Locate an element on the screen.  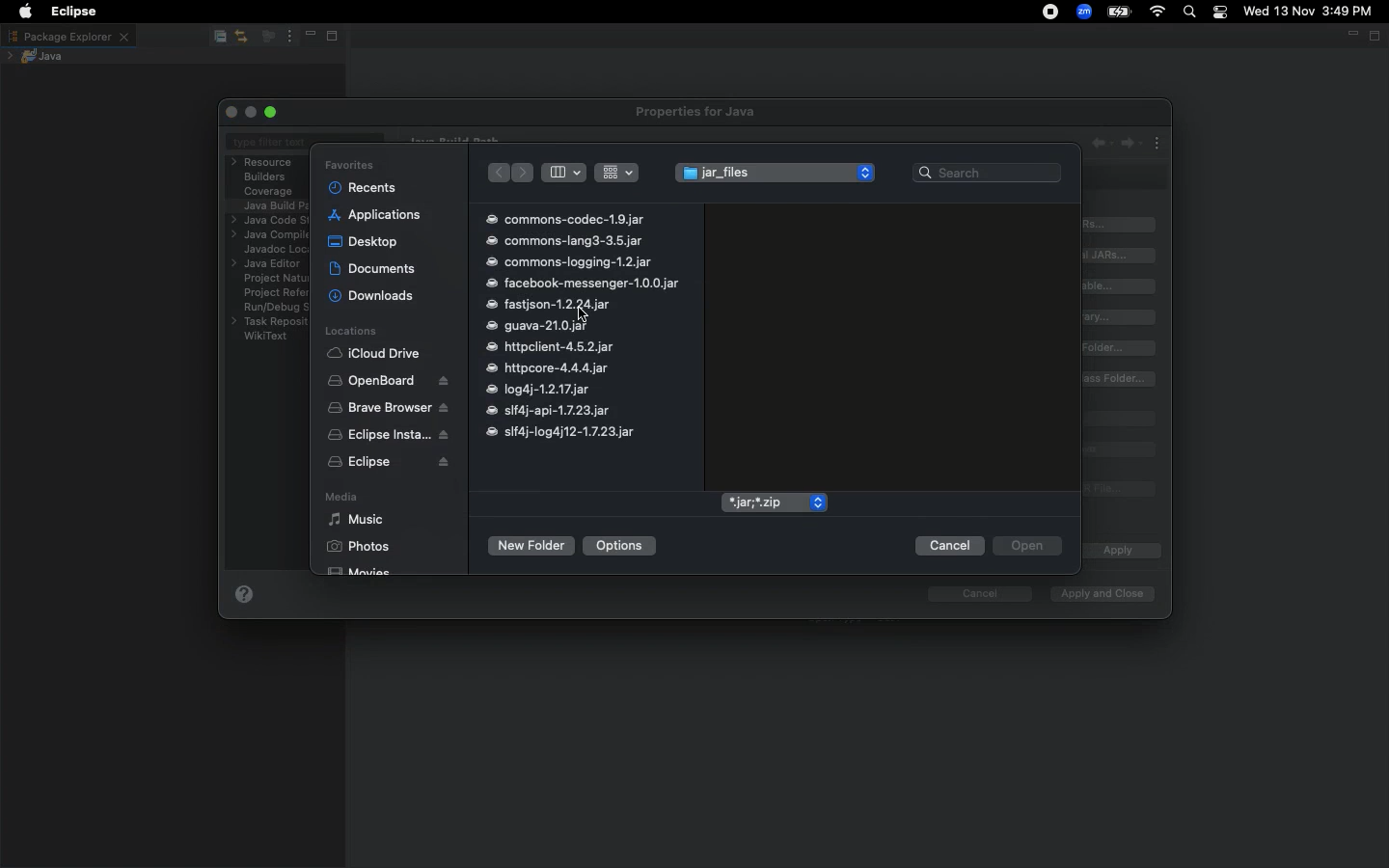
view rows is located at coordinates (617, 171).